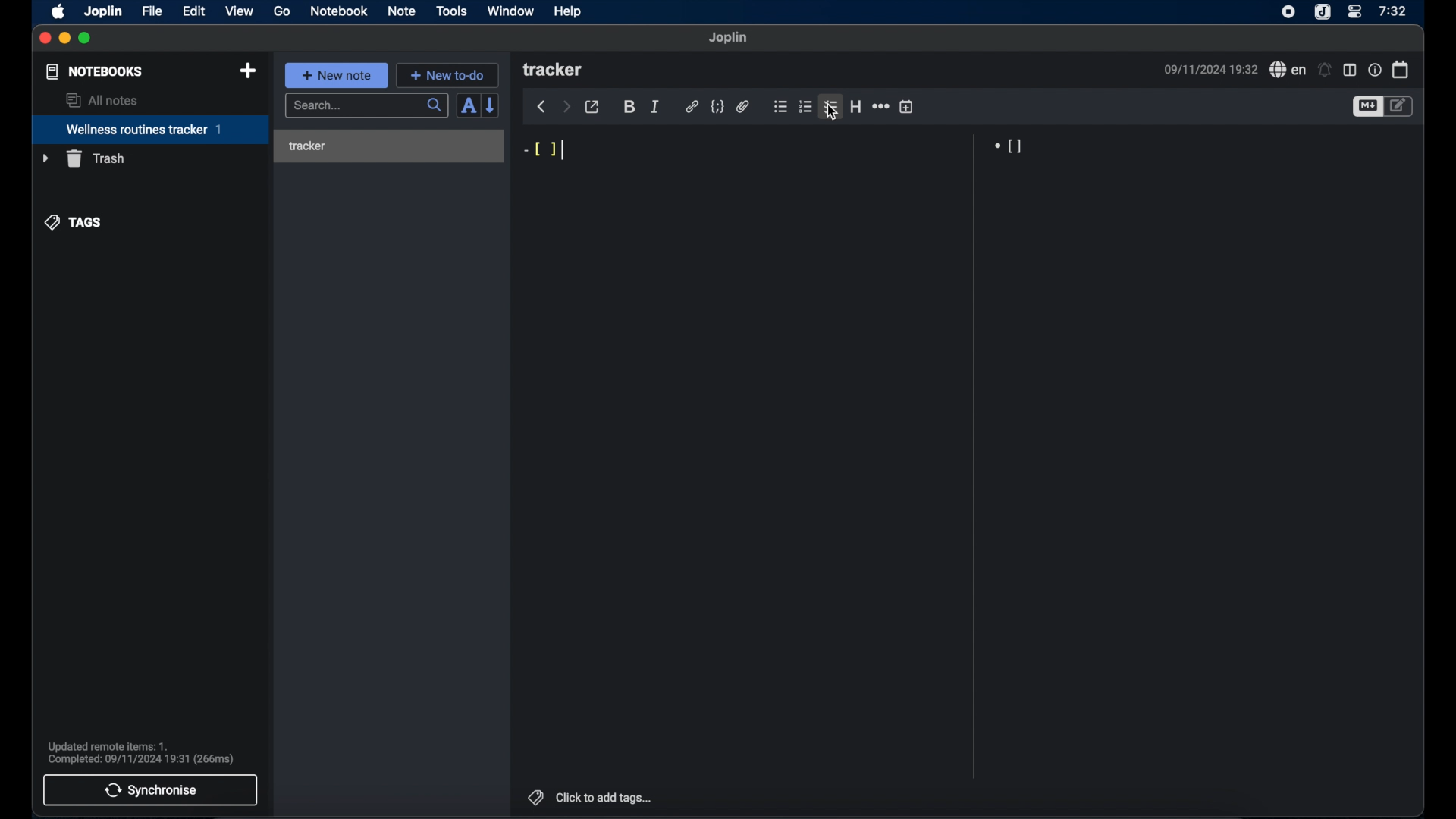  I want to click on help, so click(569, 11).